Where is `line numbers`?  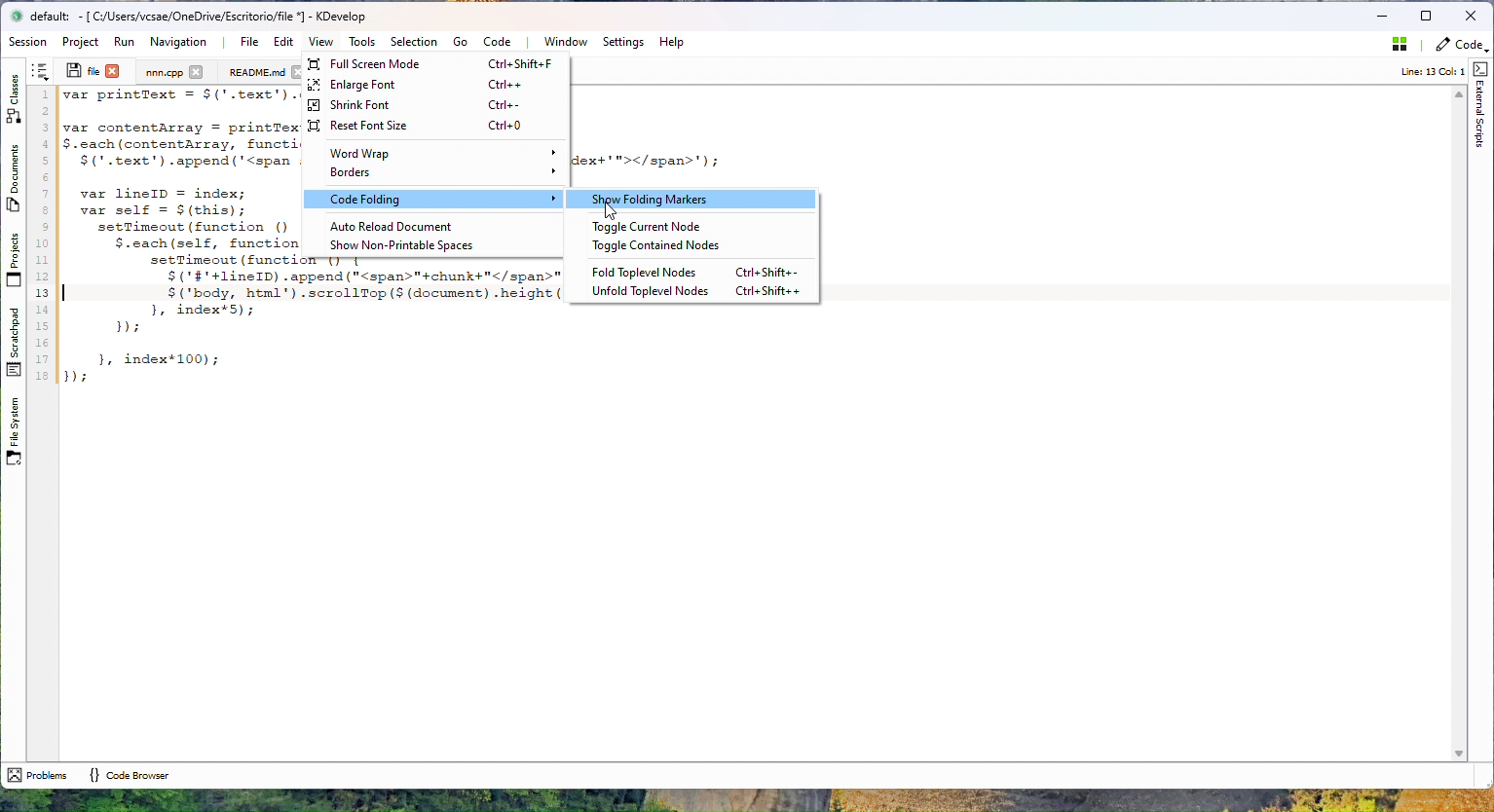
line numbers is located at coordinates (42, 237).